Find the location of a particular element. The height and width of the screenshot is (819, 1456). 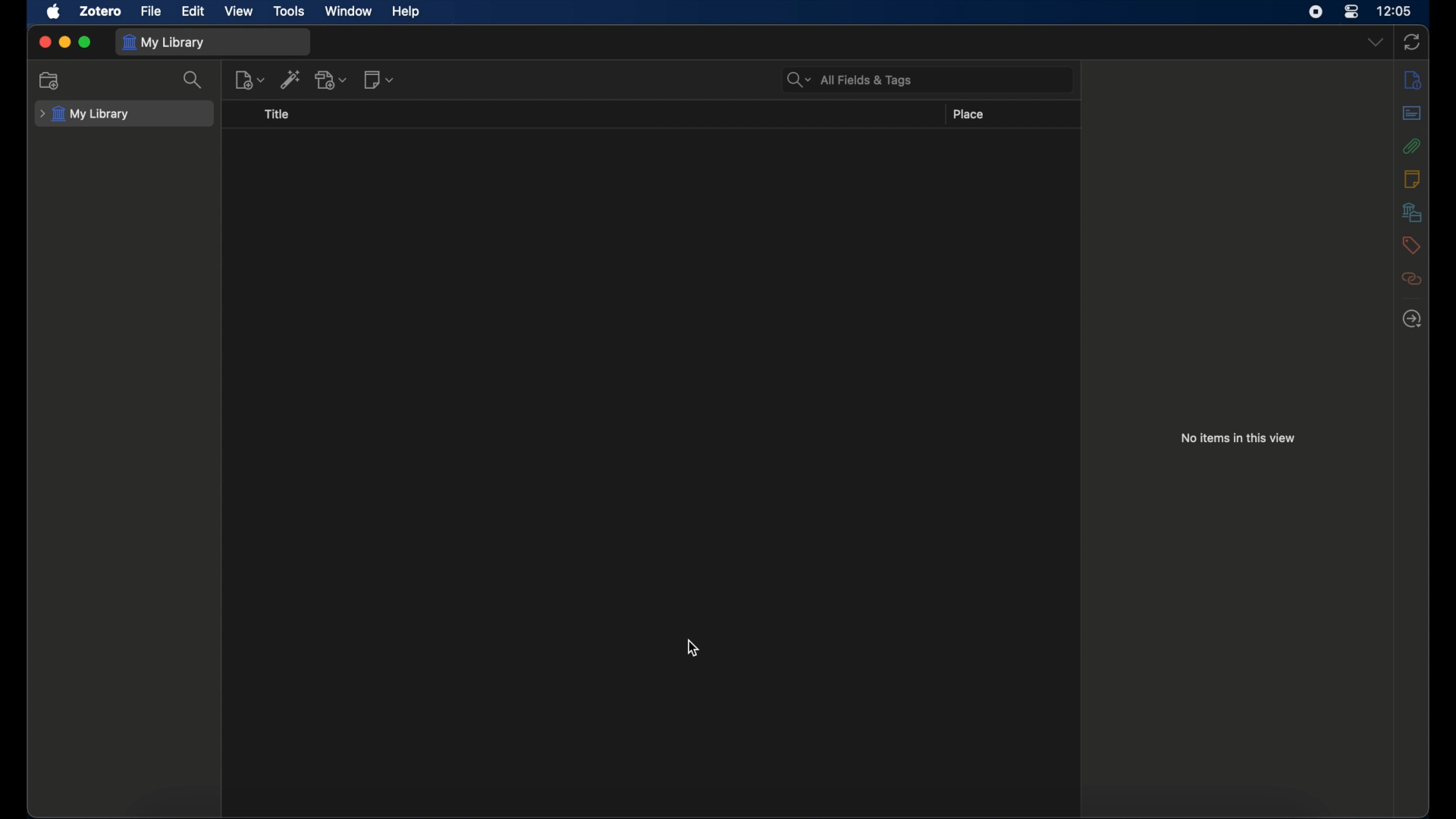

tags is located at coordinates (1411, 244).